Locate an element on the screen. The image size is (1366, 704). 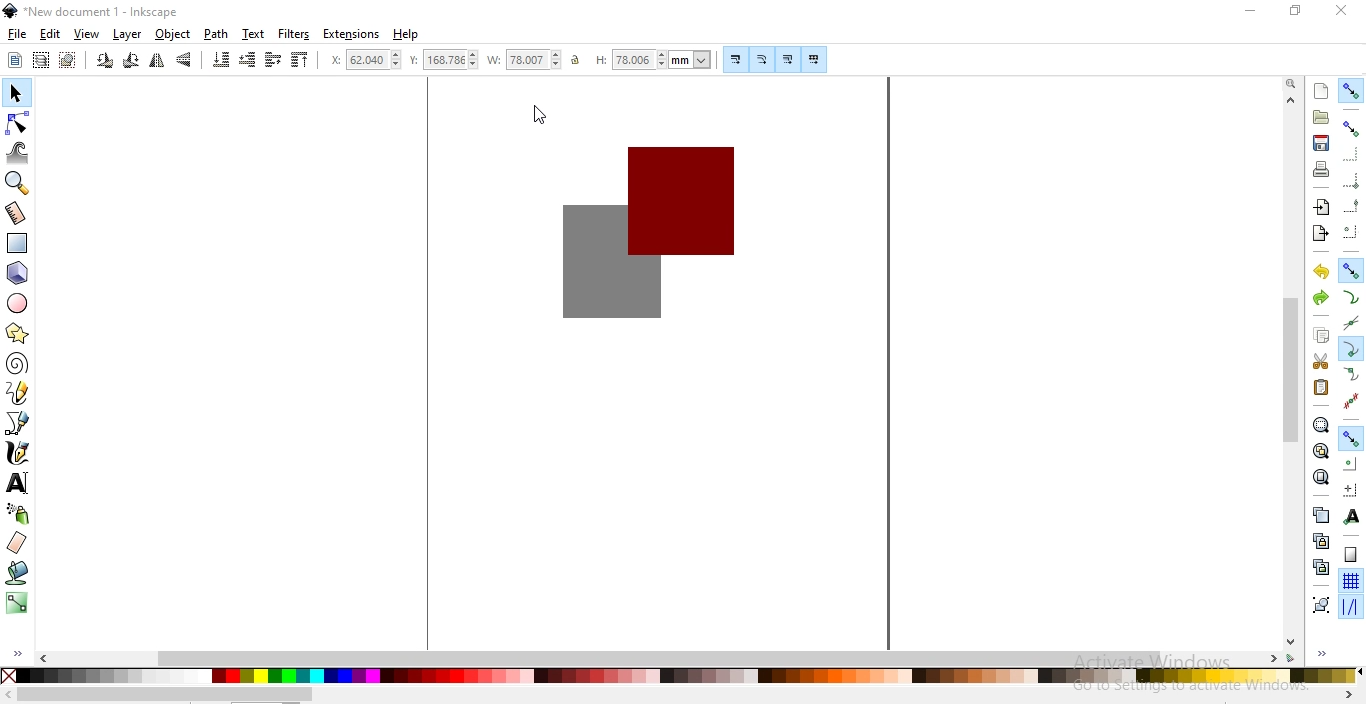
erase existing objects is located at coordinates (16, 542).